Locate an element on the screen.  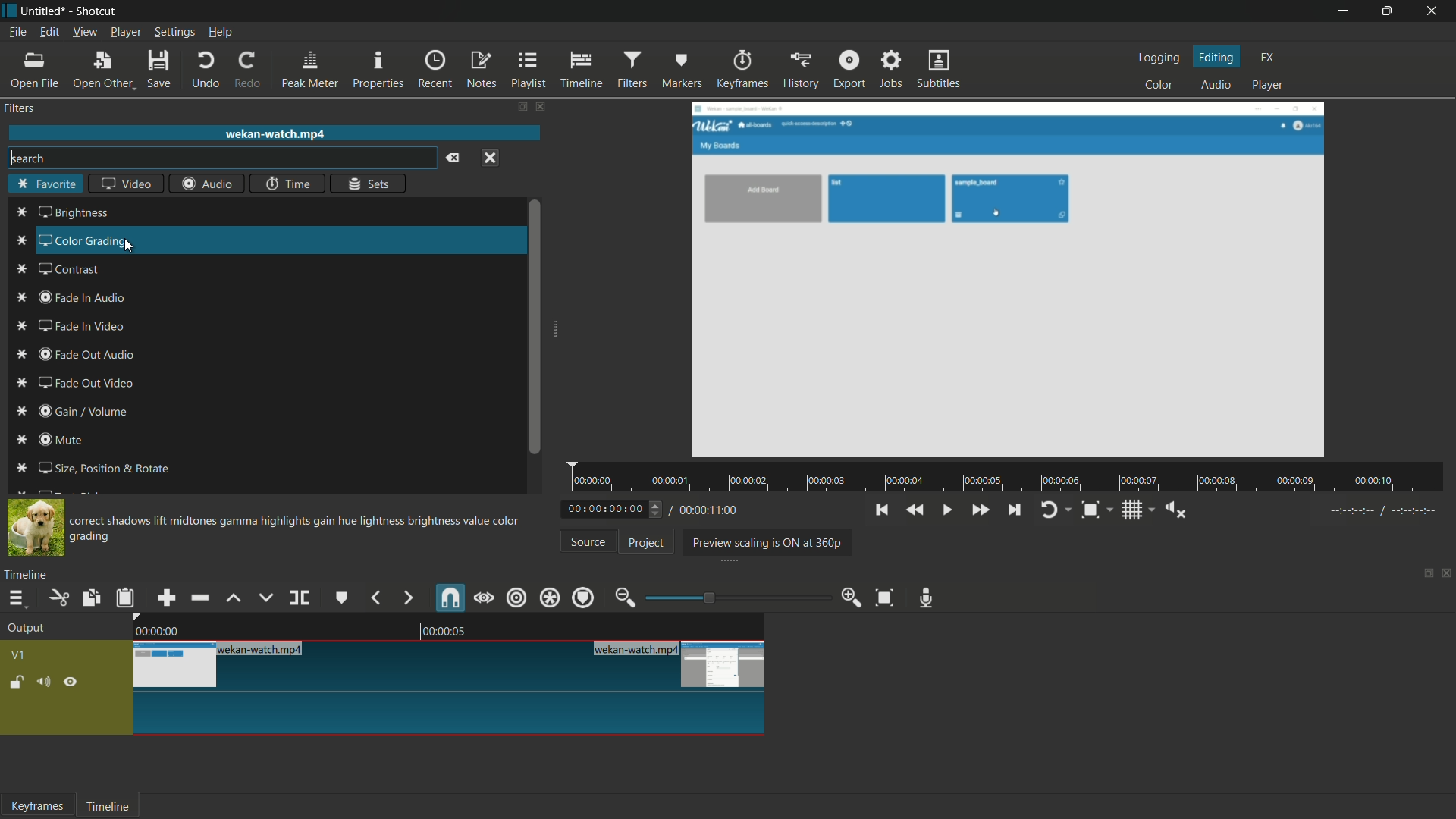
skip to the next point is located at coordinates (1015, 509).